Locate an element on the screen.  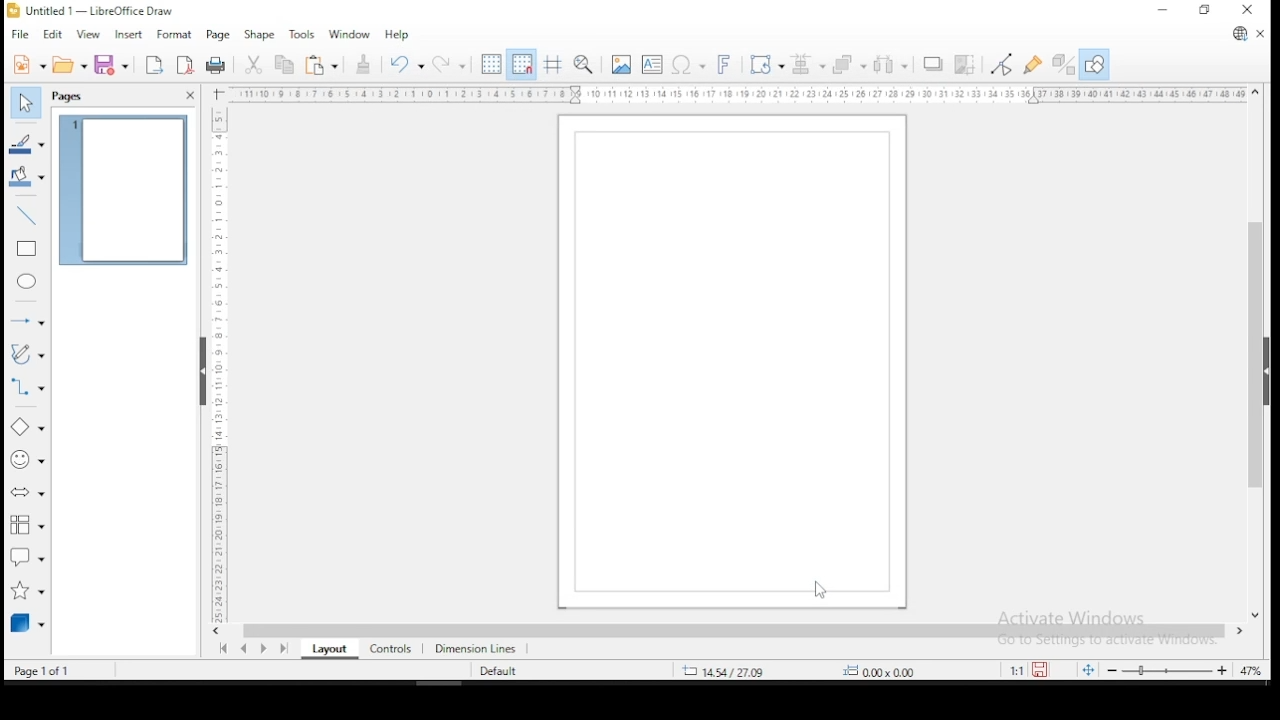
dimension lines is located at coordinates (480, 650).